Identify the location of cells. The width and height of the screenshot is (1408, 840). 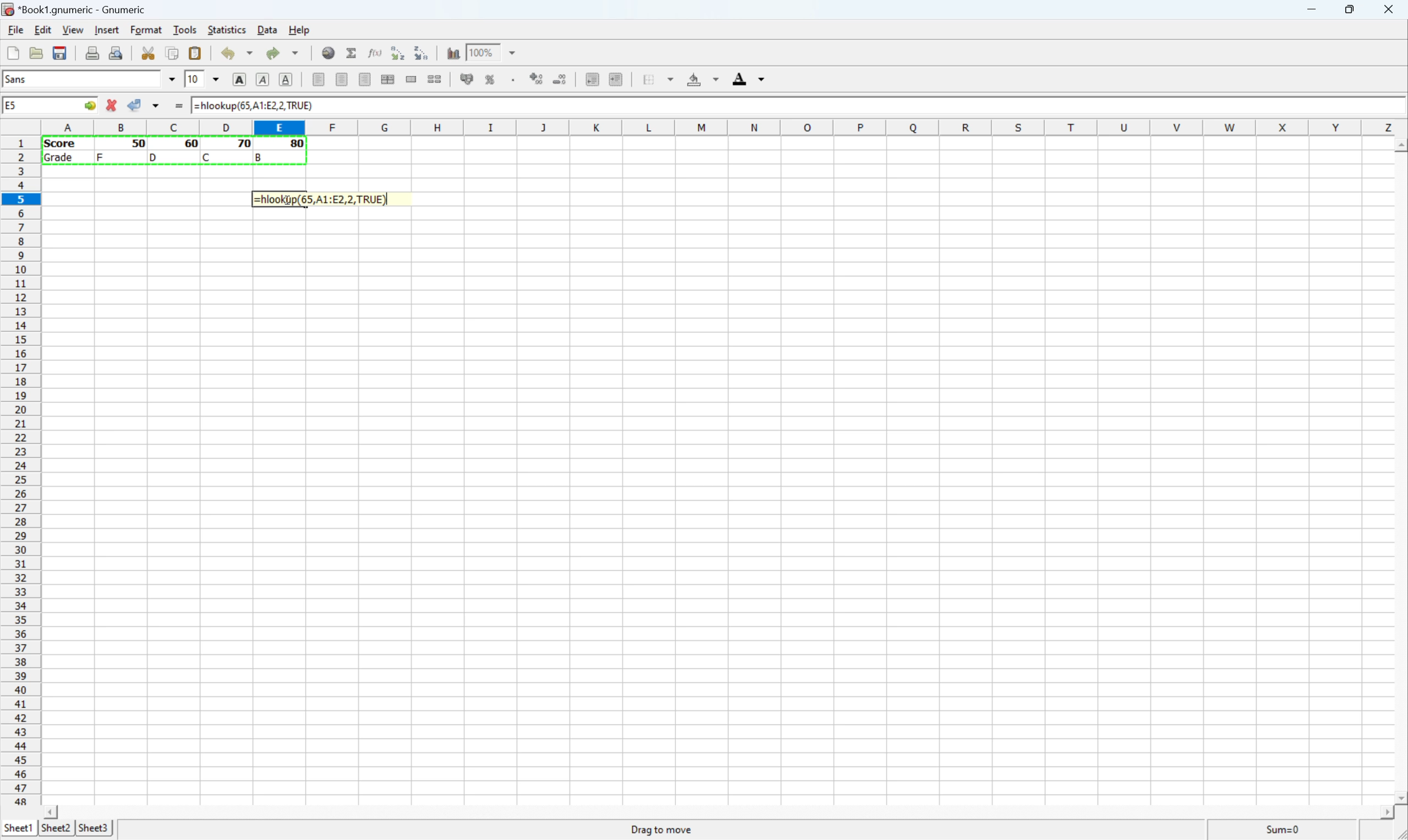
(900, 200).